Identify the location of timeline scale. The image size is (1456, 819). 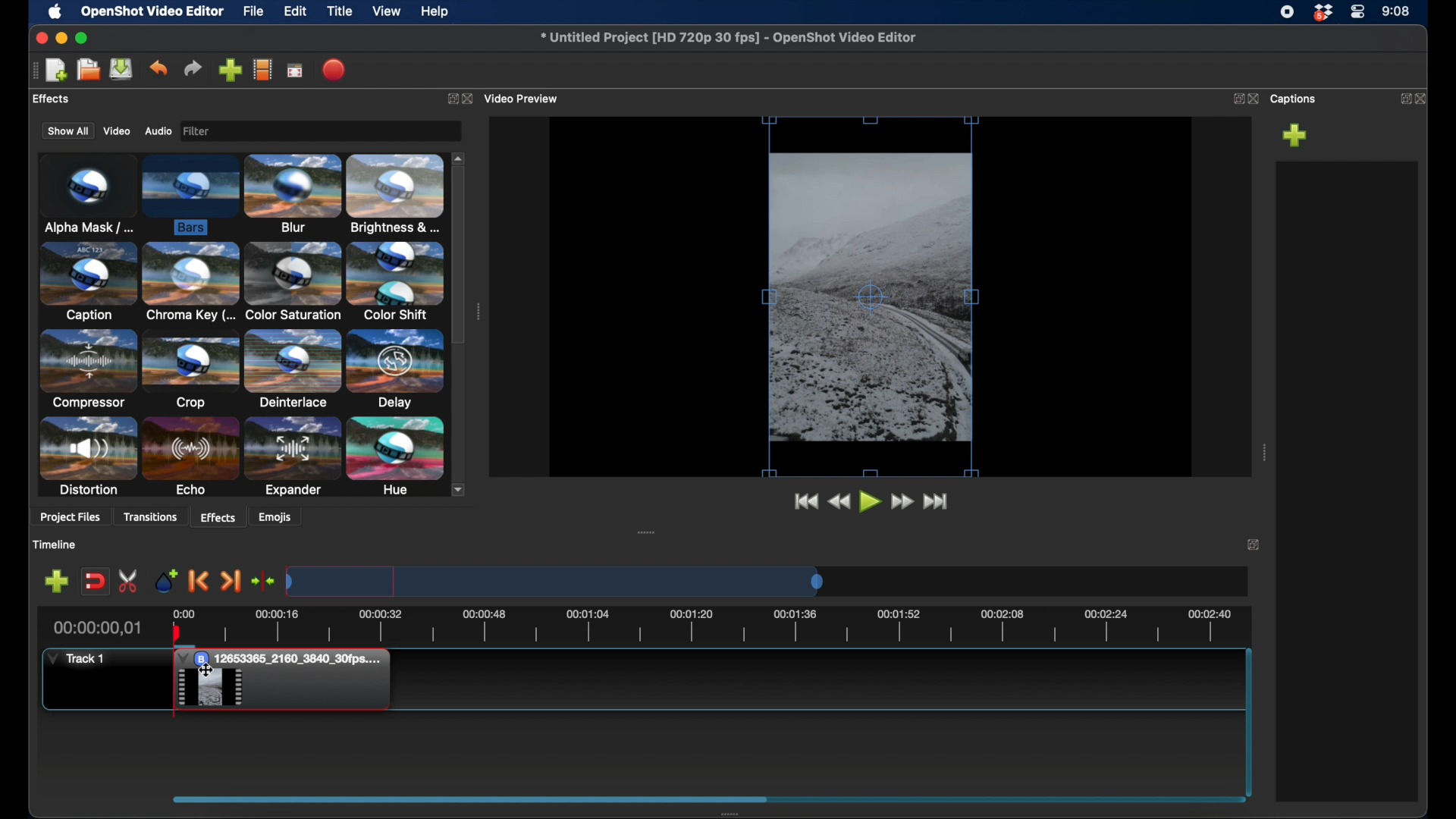
(554, 581).